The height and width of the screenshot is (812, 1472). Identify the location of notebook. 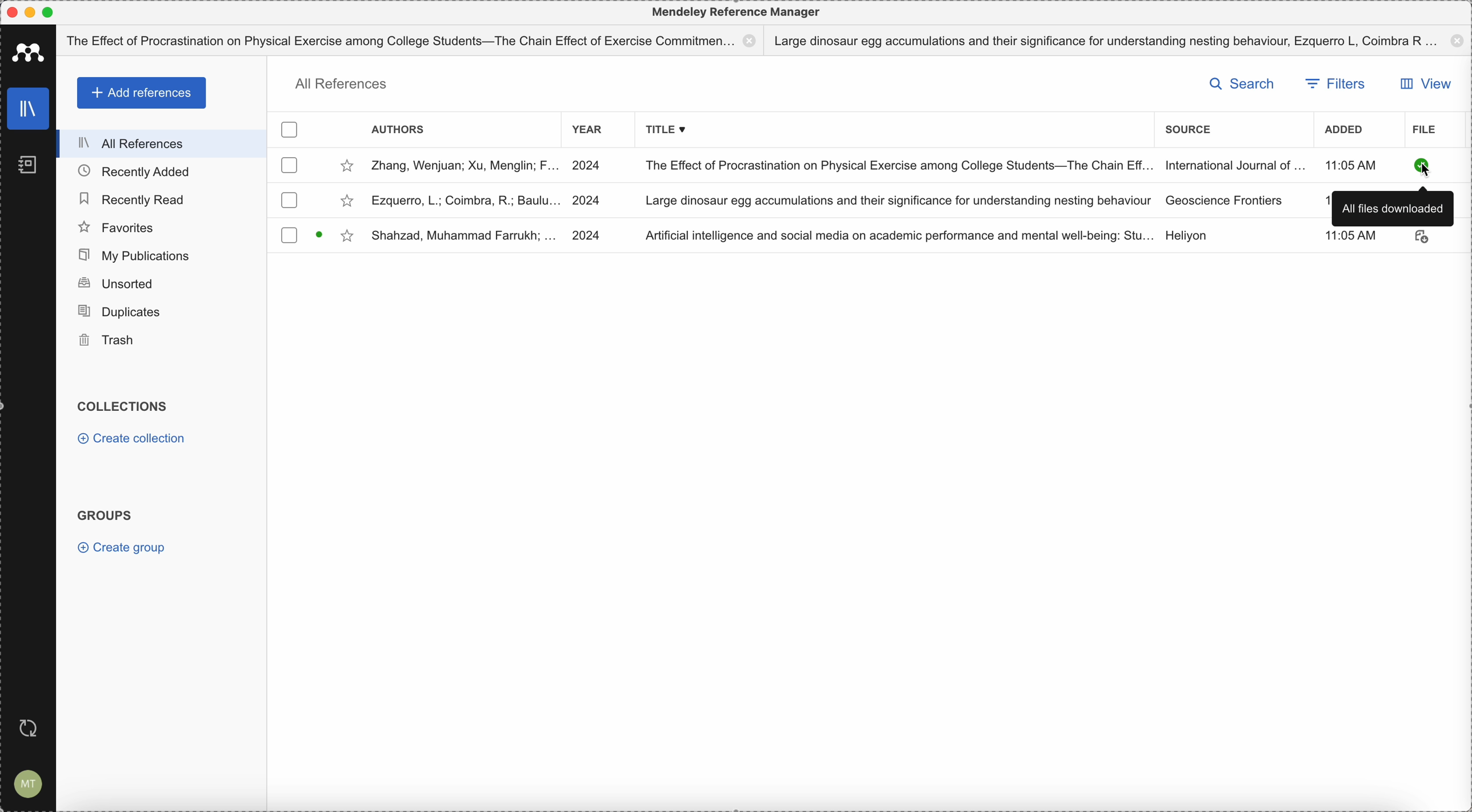
(27, 167).